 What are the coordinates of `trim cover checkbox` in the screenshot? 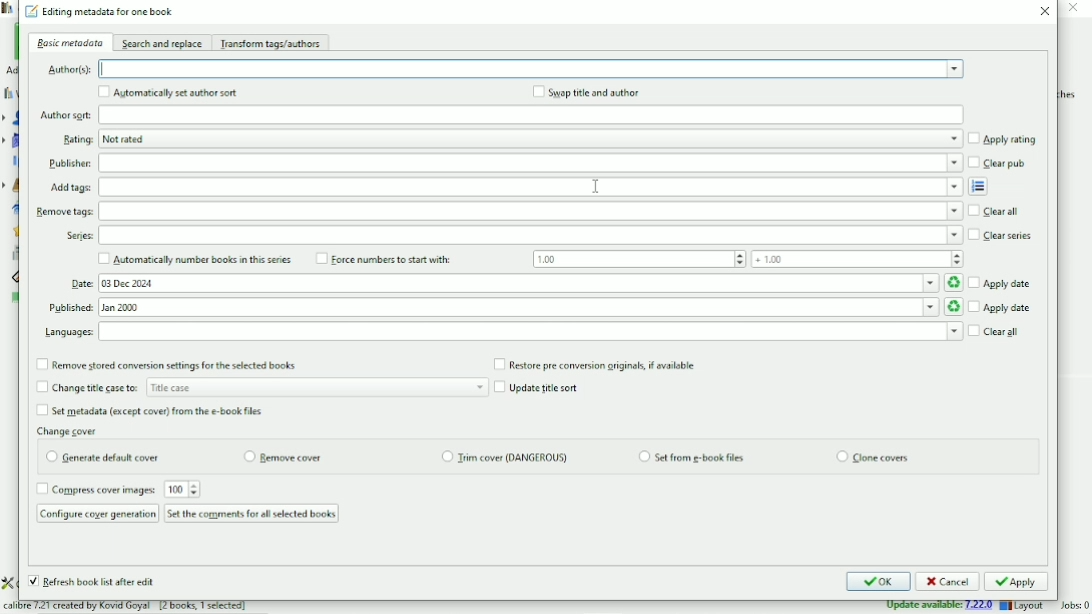 It's located at (505, 457).